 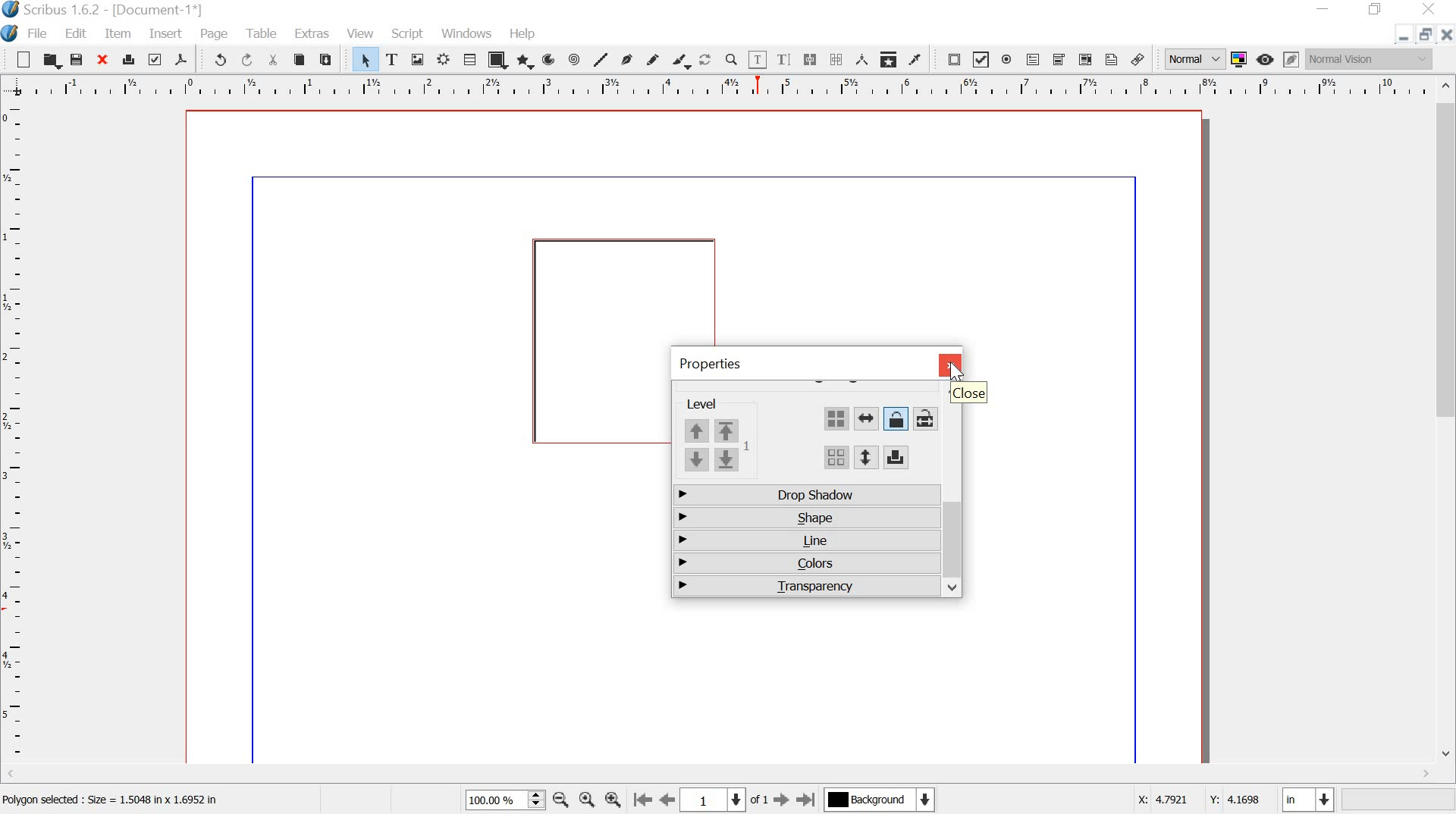 I want to click on pdf list box, so click(x=1084, y=60).